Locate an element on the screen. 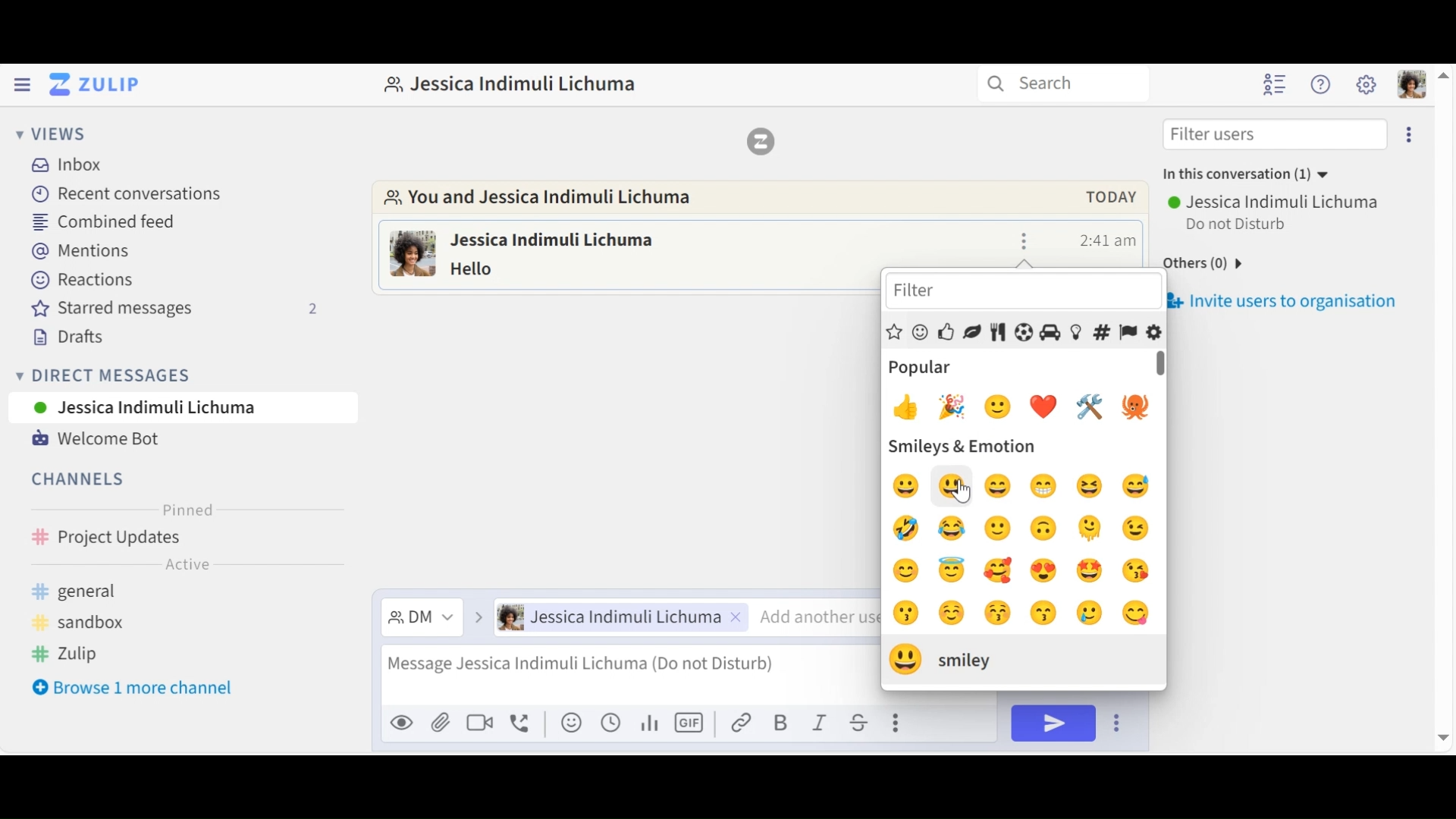 The width and height of the screenshot is (1456, 819). blush is located at coordinates (950, 613).